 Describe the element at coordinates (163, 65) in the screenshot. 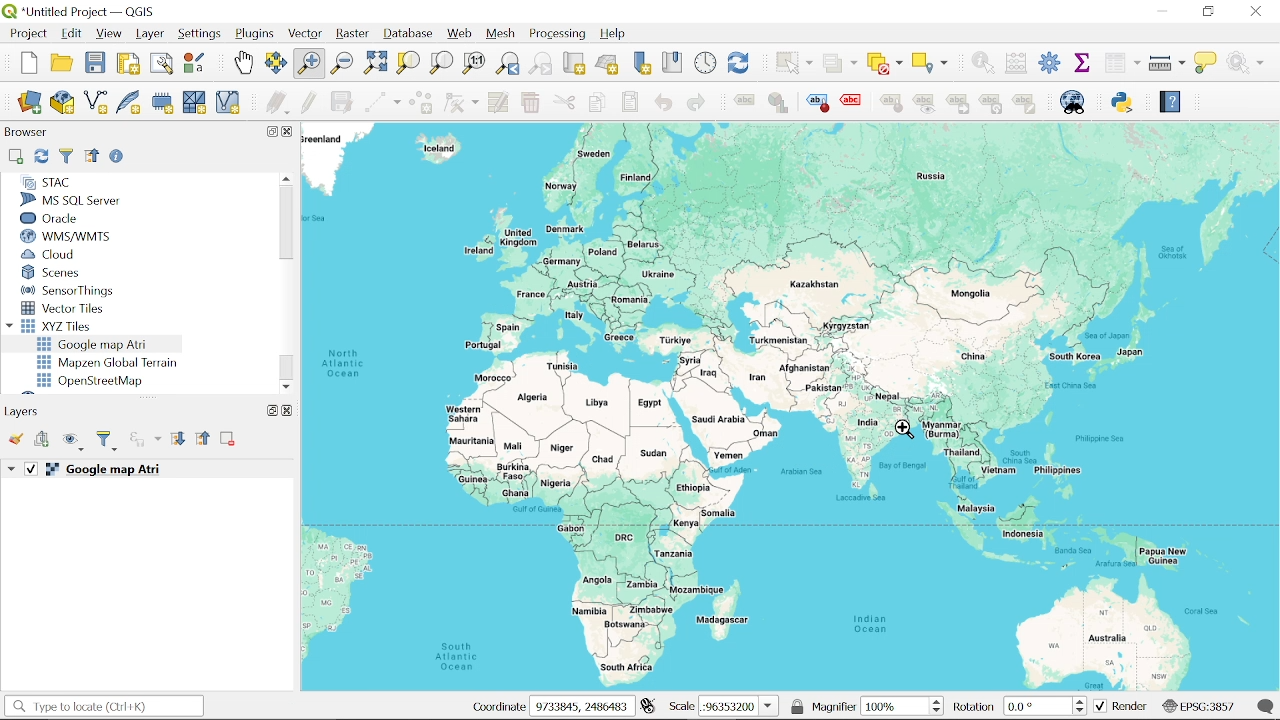

I see `Show layout` at that location.